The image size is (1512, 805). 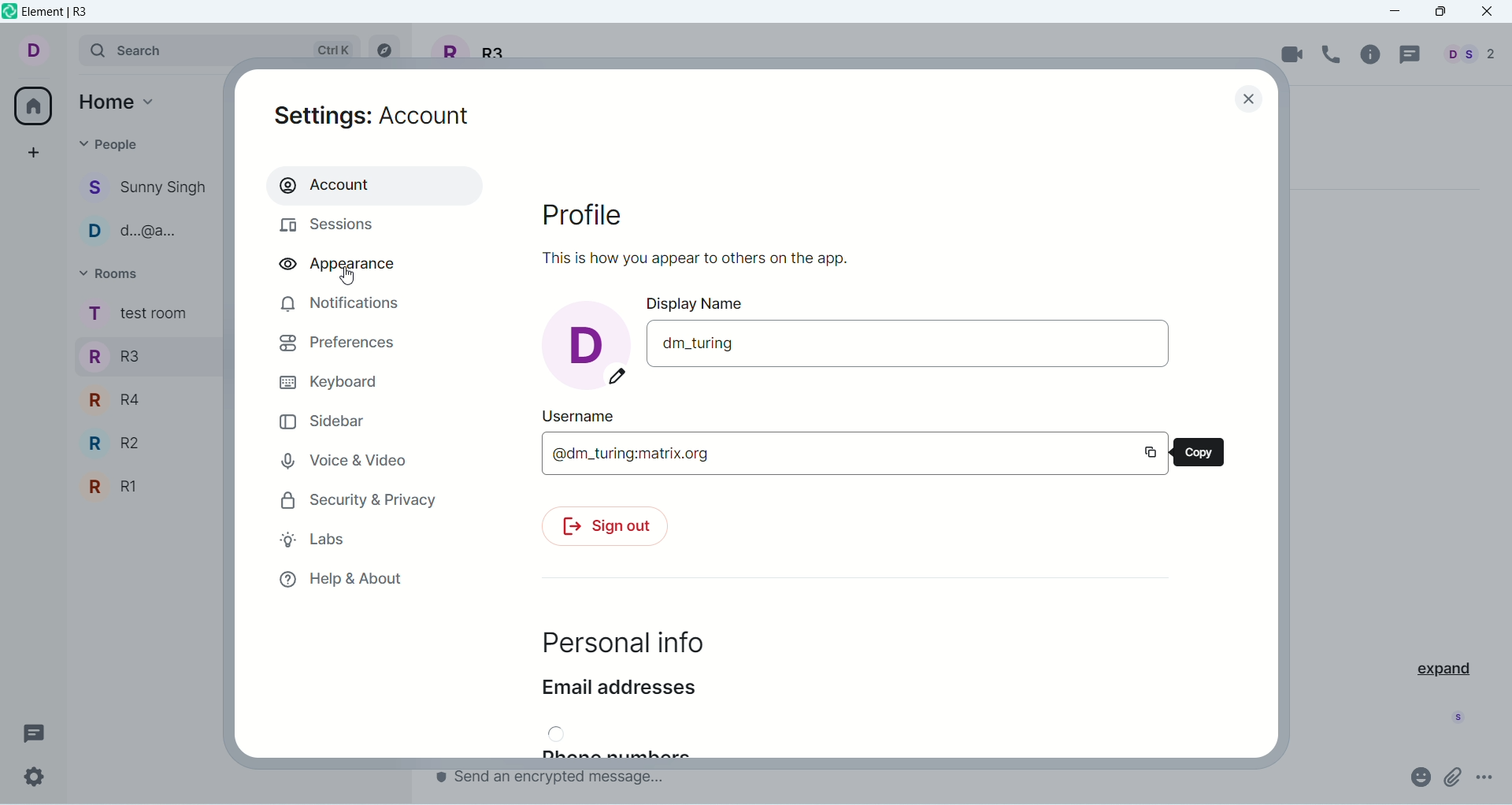 I want to click on security and privacy, so click(x=360, y=502).